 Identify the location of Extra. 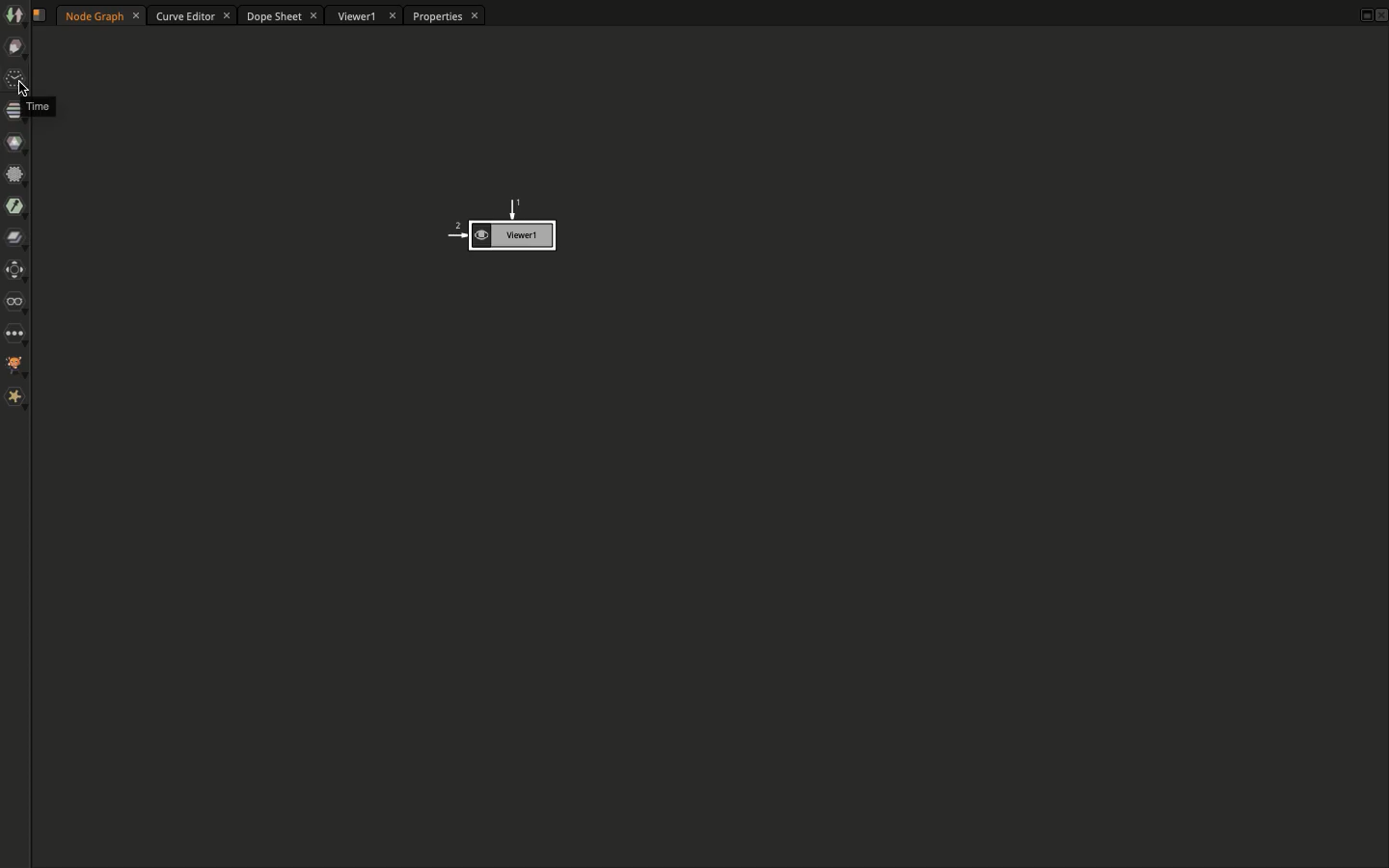
(15, 397).